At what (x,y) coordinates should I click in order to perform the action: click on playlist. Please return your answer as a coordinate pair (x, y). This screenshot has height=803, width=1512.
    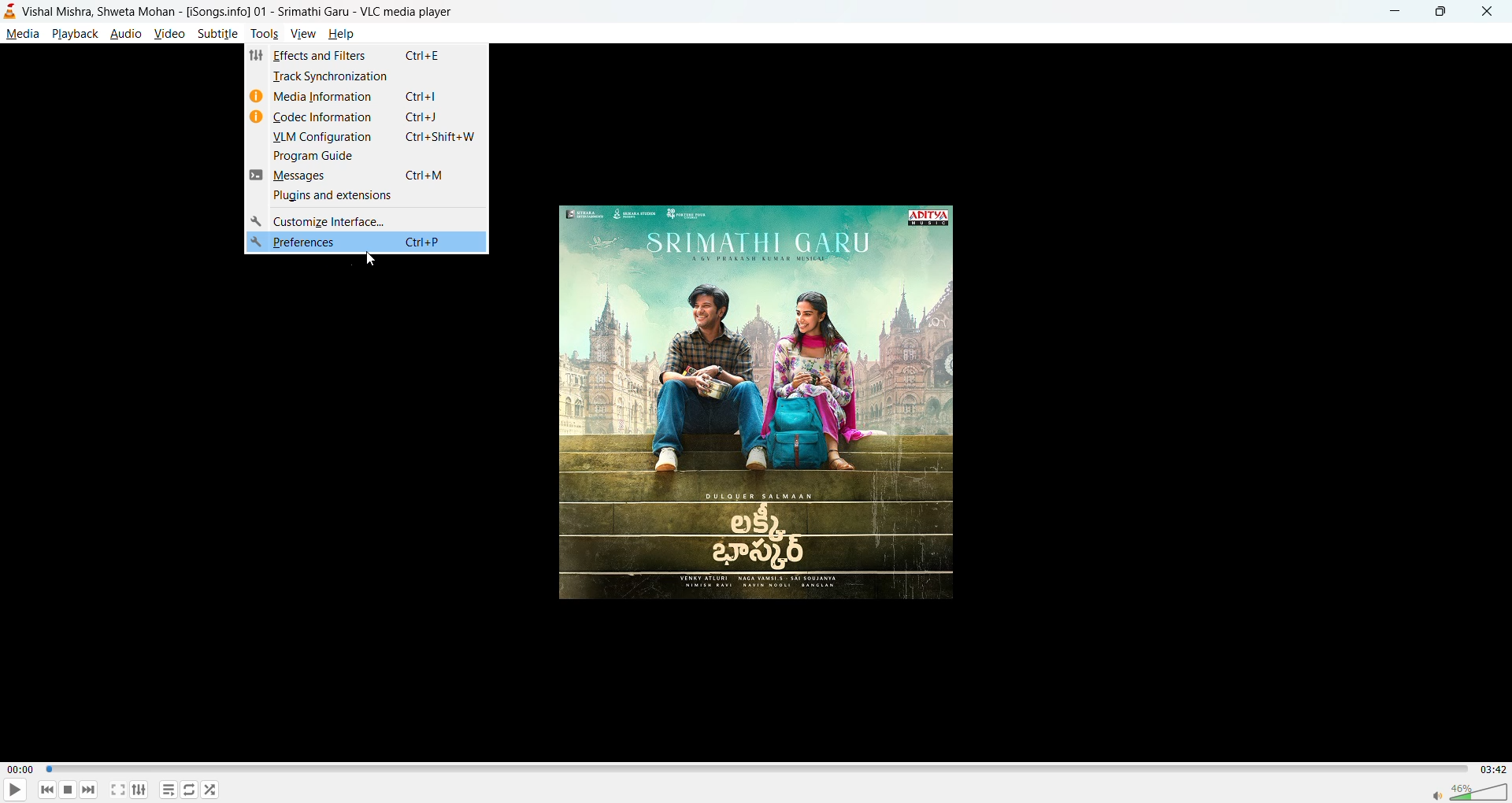
    Looking at the image, I should click on (171, 790).